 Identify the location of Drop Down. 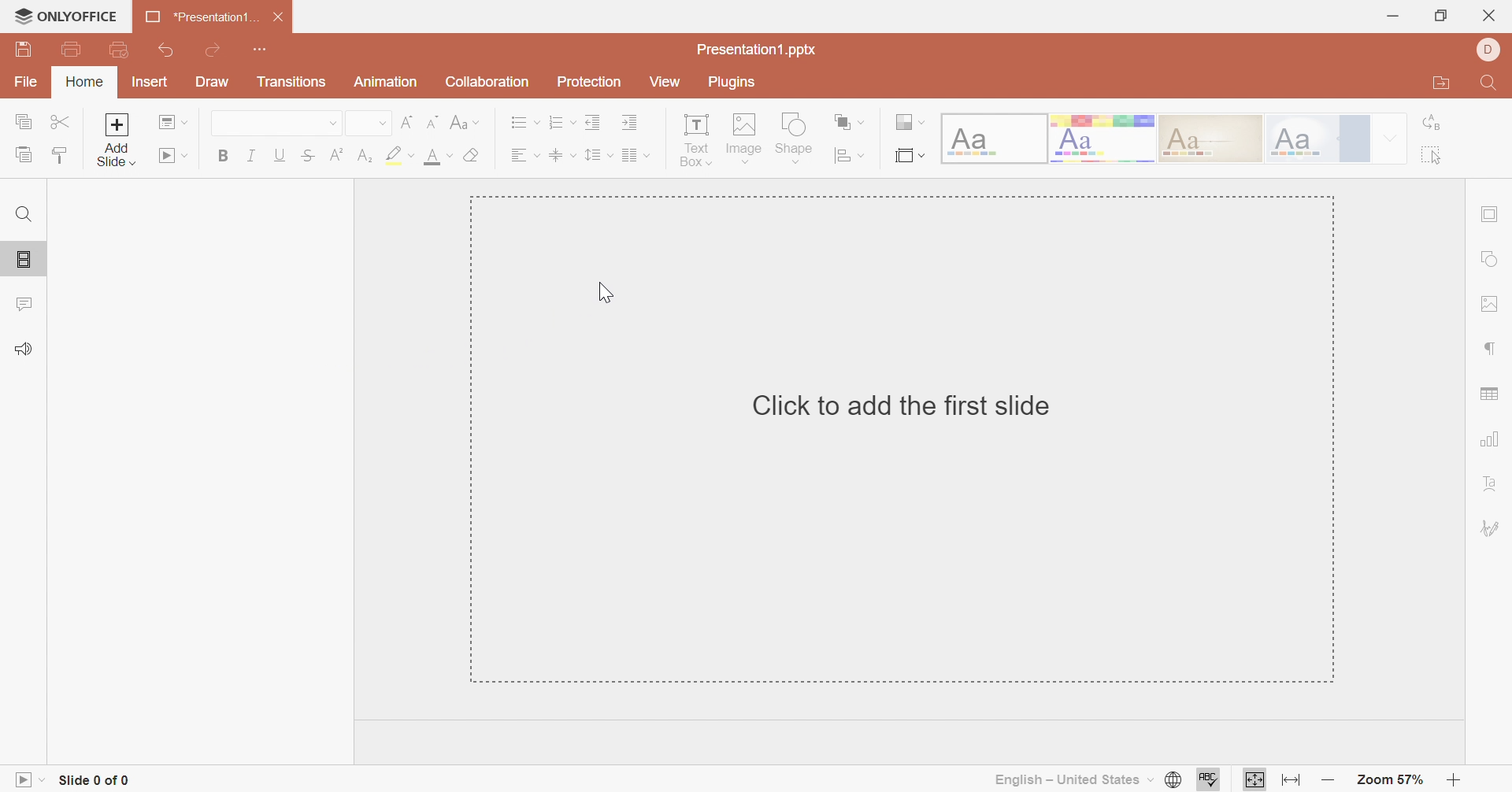
(413, 156).